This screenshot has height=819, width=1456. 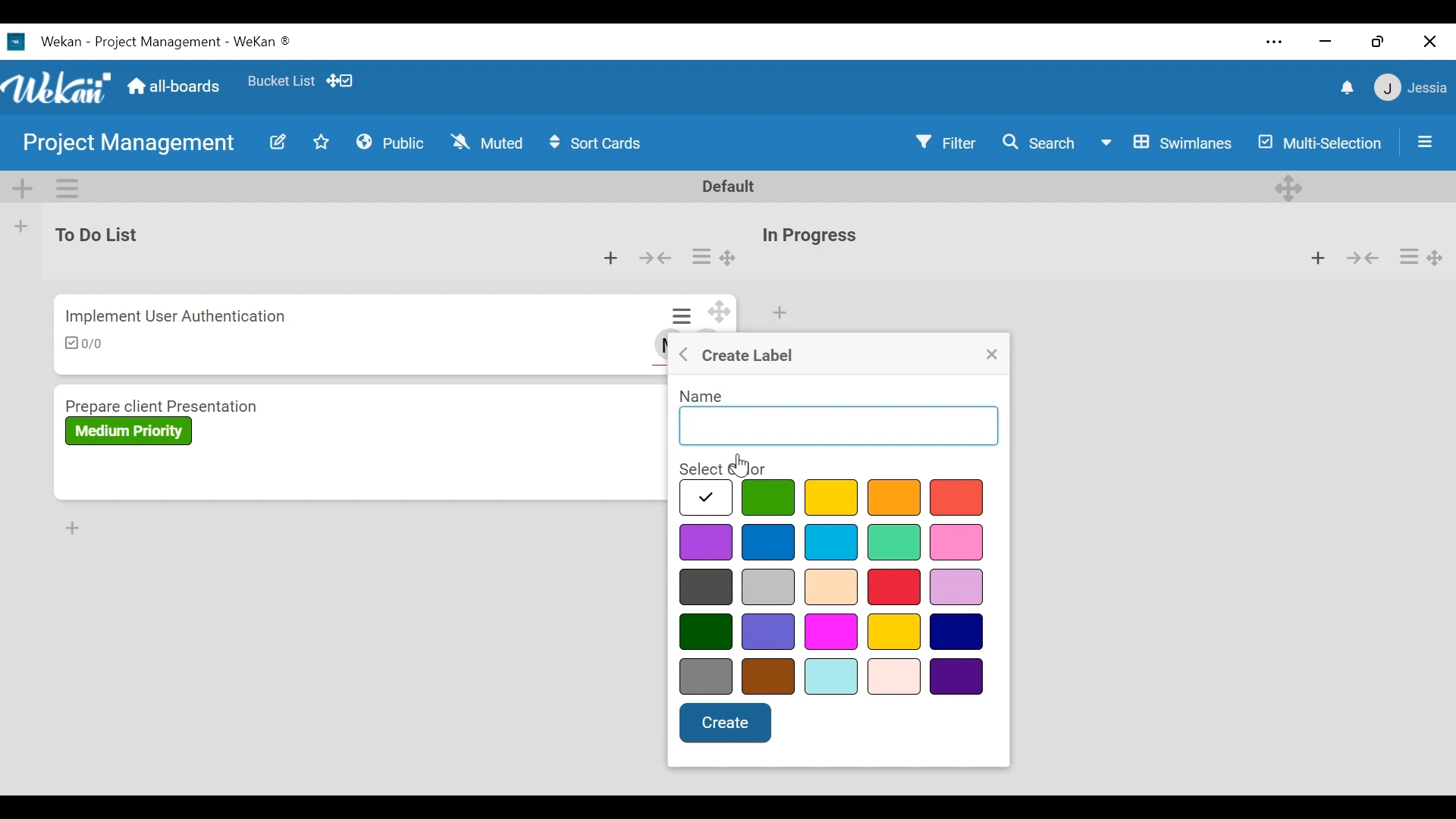 I want to click on restore, so click(x=1378, y=41).